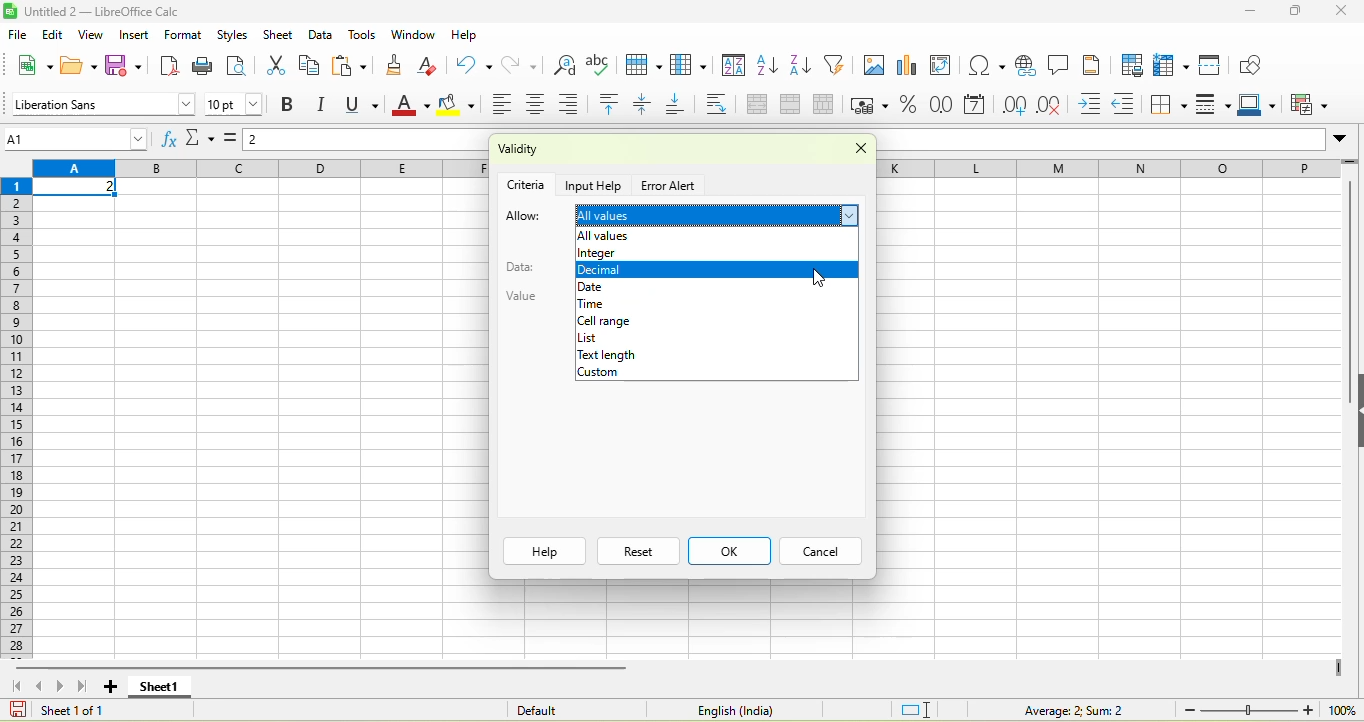 The width and height of the screenshot is (1364, 722). What do you see at coordinates (1261, 106) in the screenshot?
I see `border color` at bounding box center [1261, 106].